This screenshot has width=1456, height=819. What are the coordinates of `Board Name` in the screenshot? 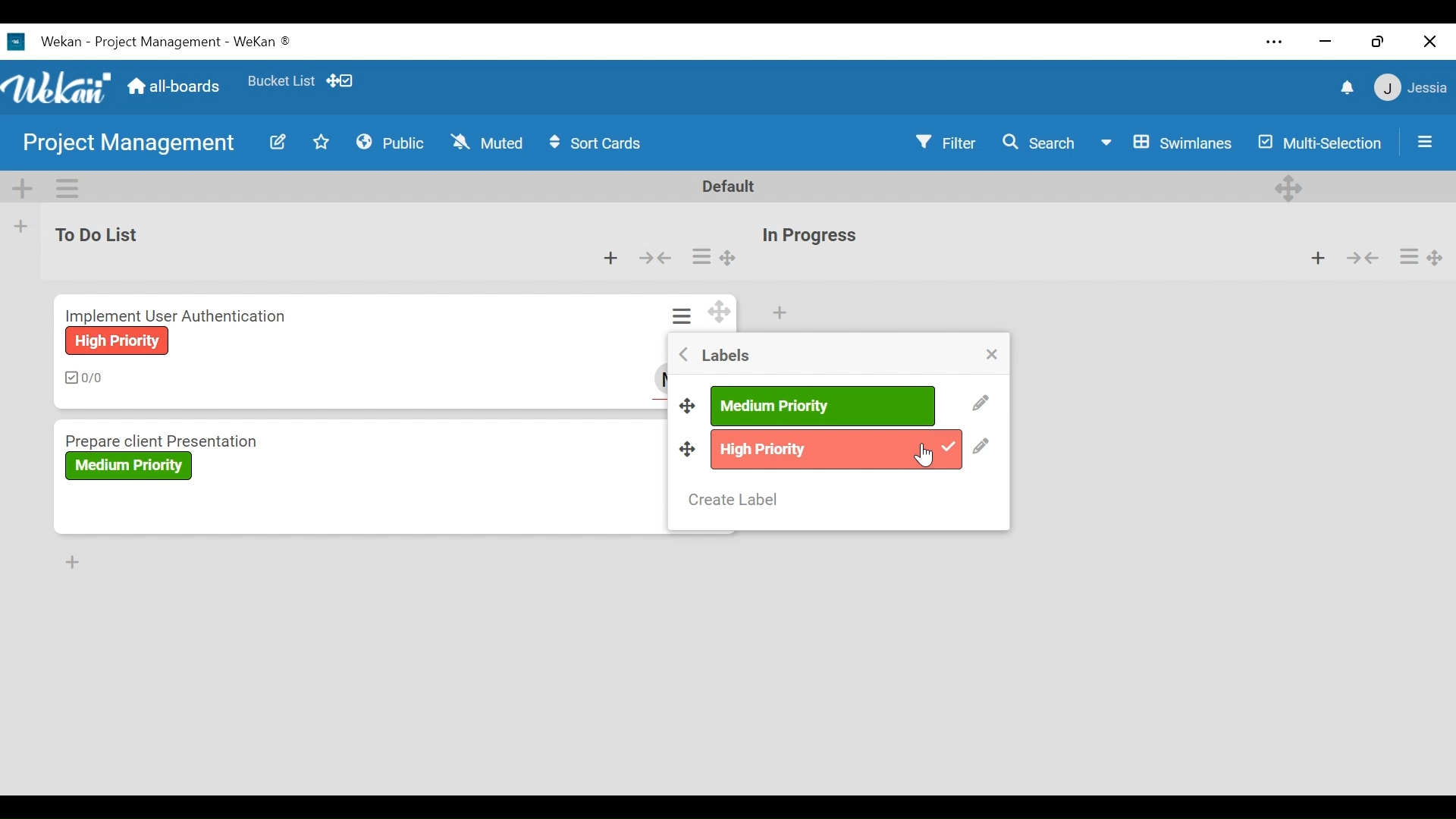 It's located at (131, 145).